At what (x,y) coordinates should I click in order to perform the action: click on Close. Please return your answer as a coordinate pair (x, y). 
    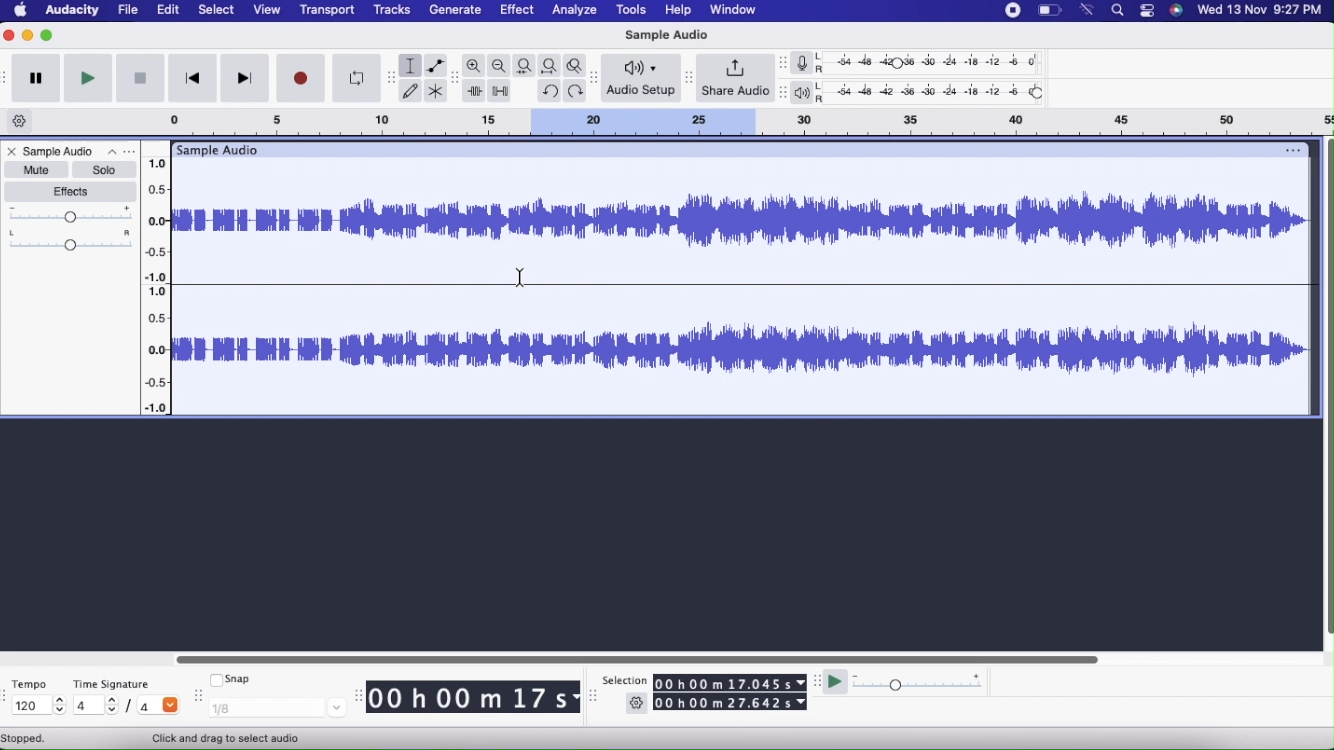
    Looking at the image, I should click on (10, 36).